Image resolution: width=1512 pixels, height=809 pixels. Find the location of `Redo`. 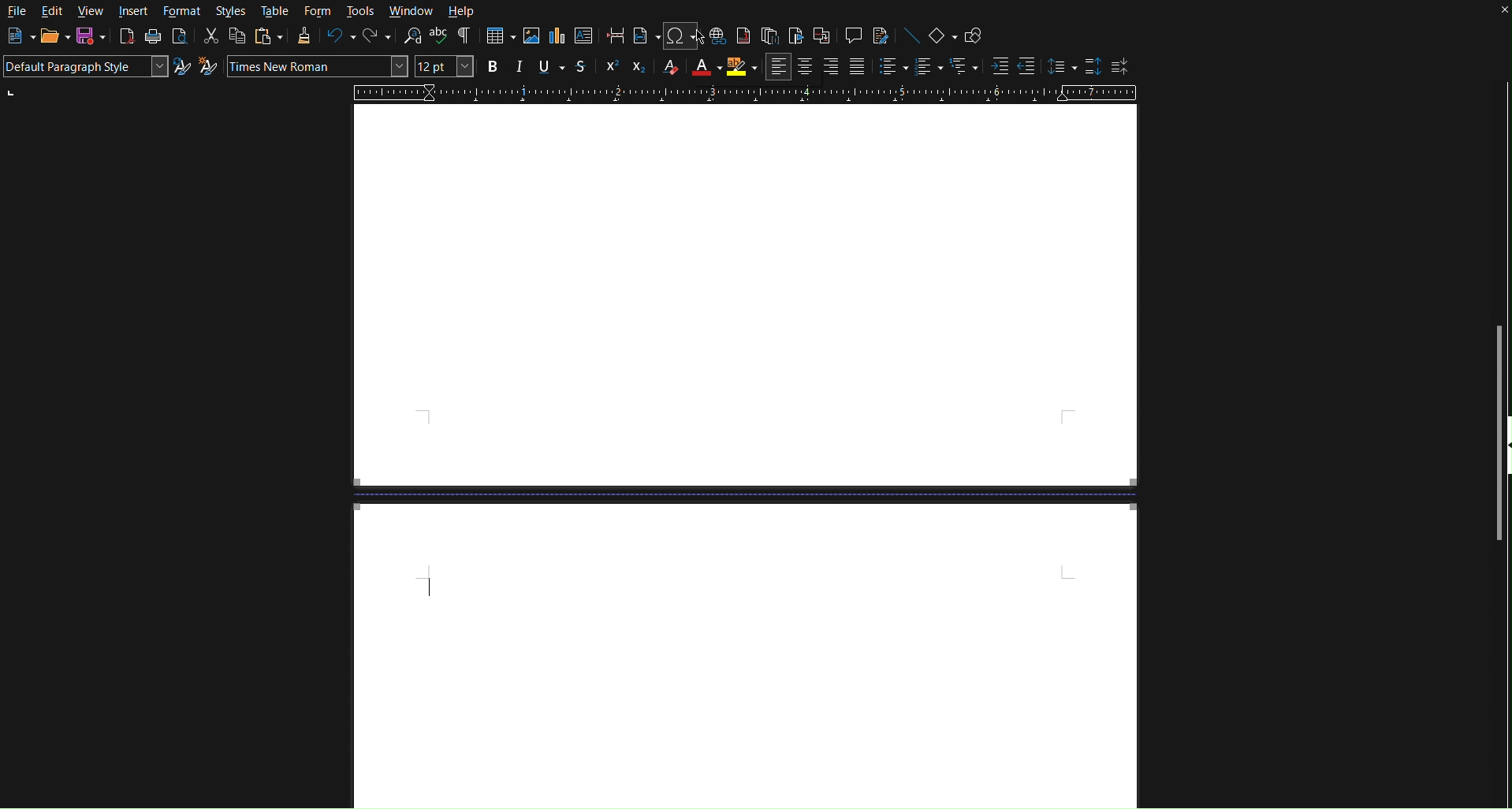

Redo is located at coordinates (377, 37).